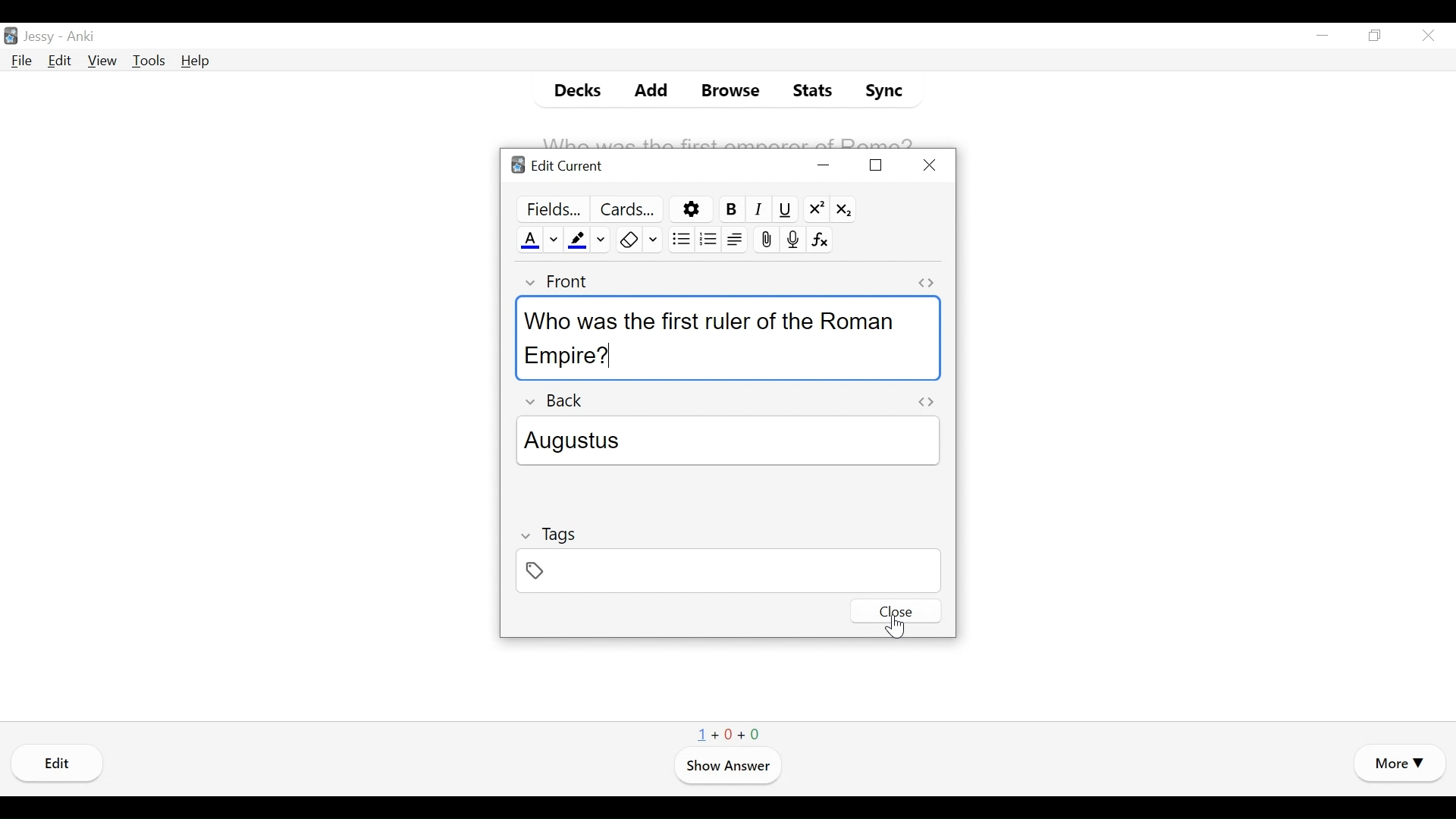  Describe the element at coordinates (549, 208) in the screenshot. I see `Preview Field` at that location.